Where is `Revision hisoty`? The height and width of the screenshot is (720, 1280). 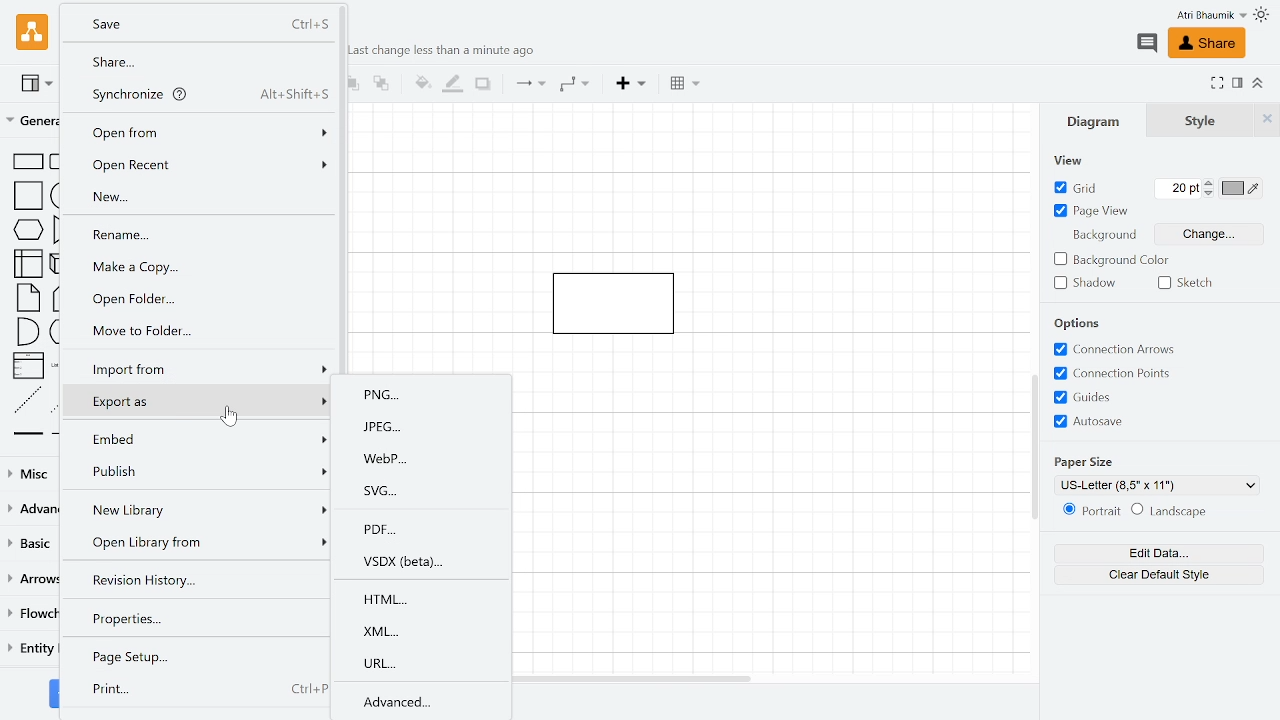 Revision hisoty is located at coordinates (193, 579).